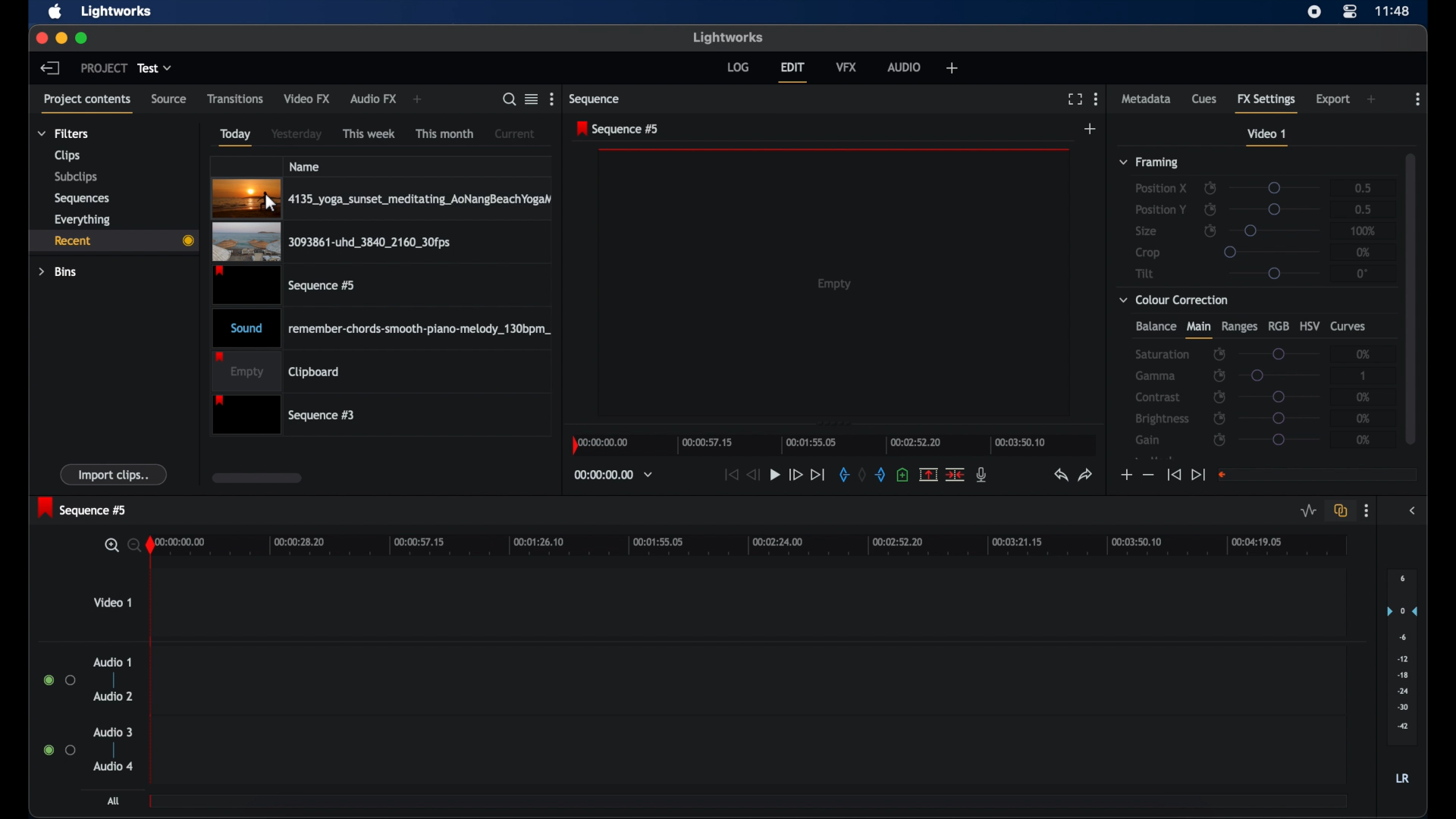 The width and height of the screenshot is (1456, 819). Describe the element at coordinates (38, 38) in the screenshot. I see `close` at that location.